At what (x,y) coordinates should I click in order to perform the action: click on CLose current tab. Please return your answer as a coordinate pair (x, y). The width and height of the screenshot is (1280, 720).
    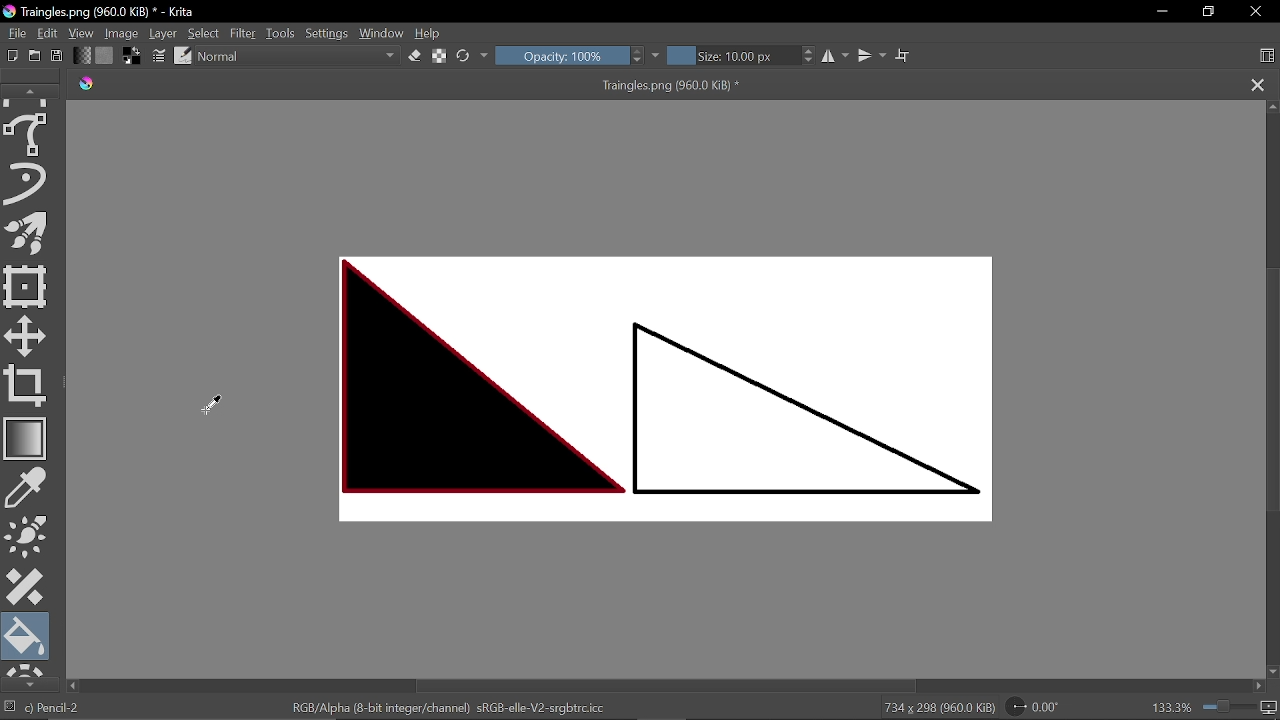
    Looking at the image, I should click on (1258, 86).